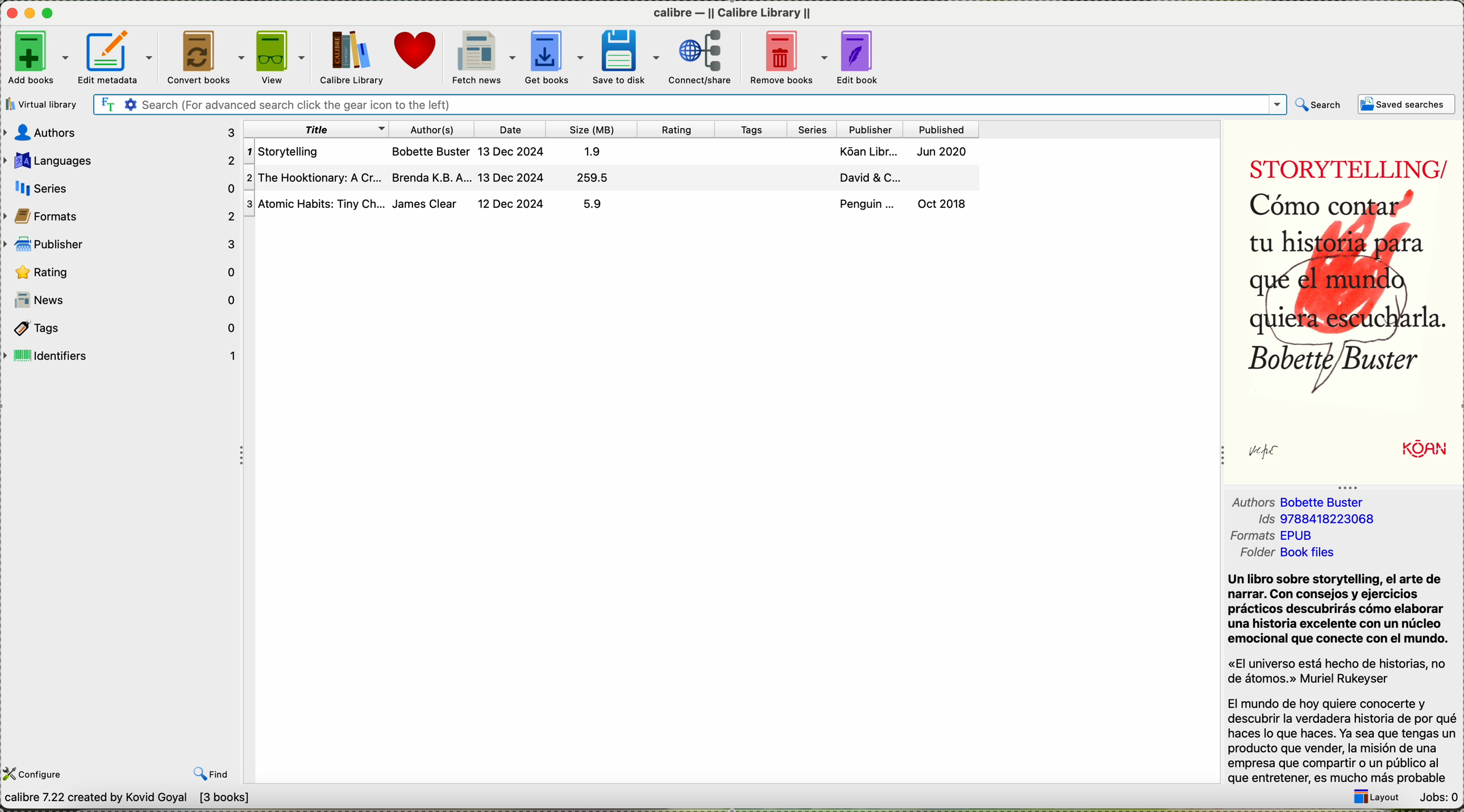 This screenshot has height=812, width=1464. What do you see at coordinates (681, 129) in the screenshot?
I see `rating` at bounding box center [681, 129].